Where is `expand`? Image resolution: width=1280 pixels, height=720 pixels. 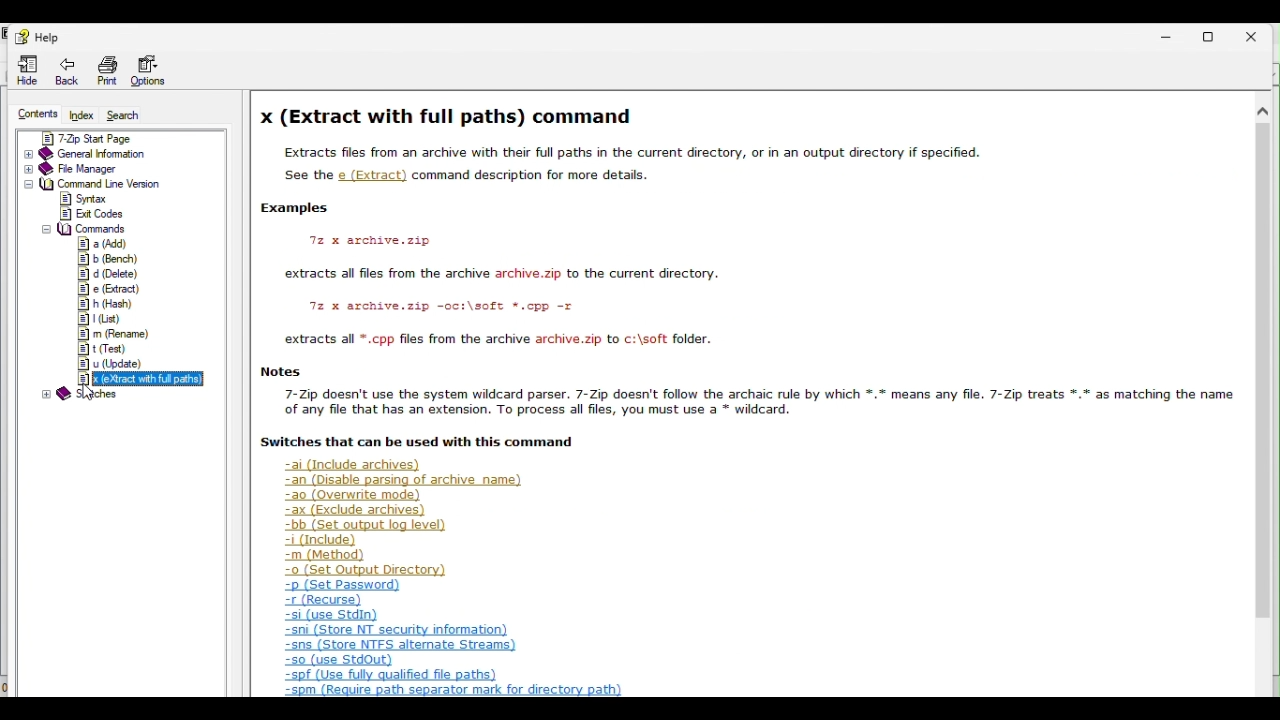 expand is located at coordinates (26, 155).